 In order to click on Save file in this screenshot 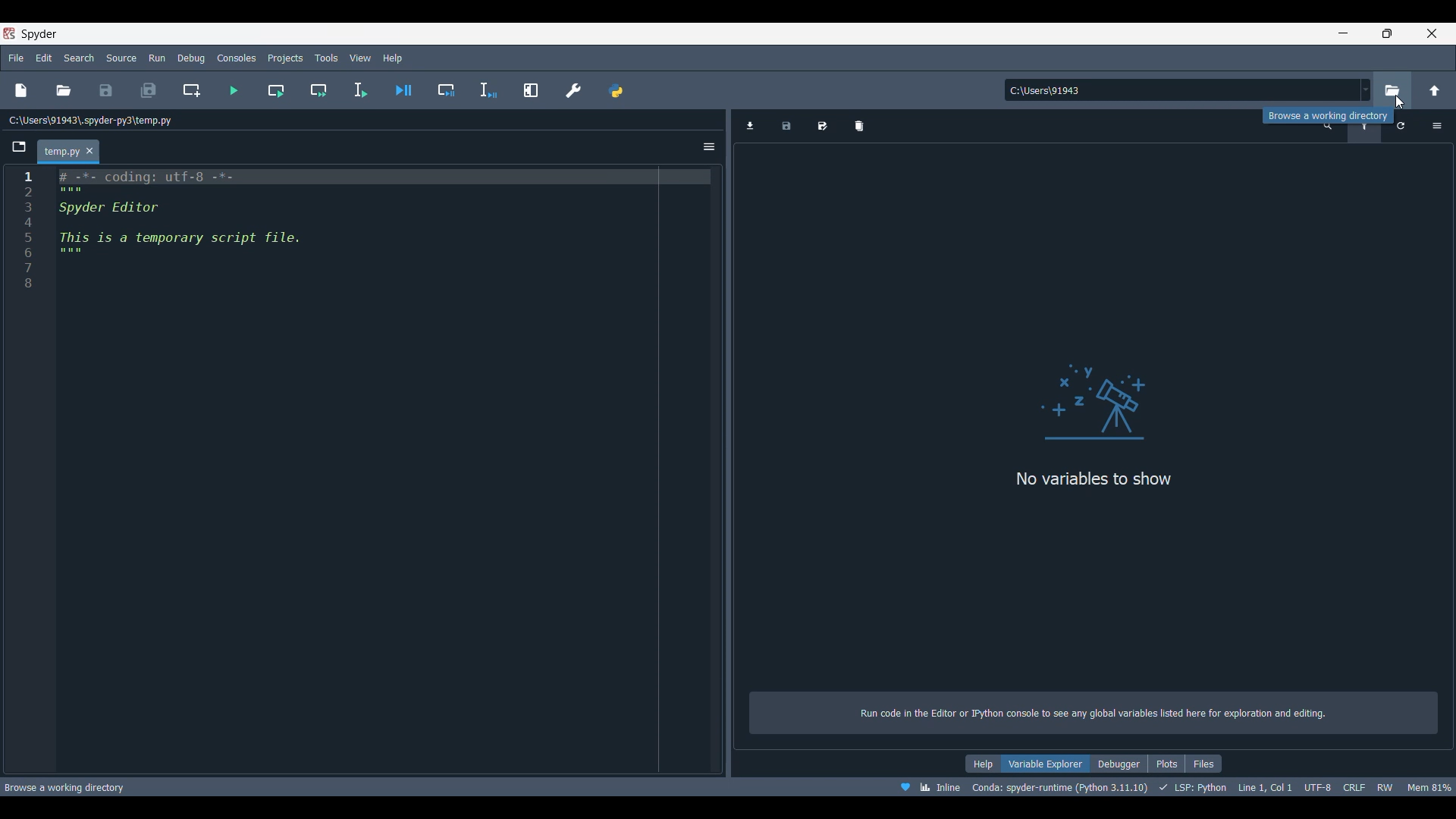, I will do `click(106, 90)`.